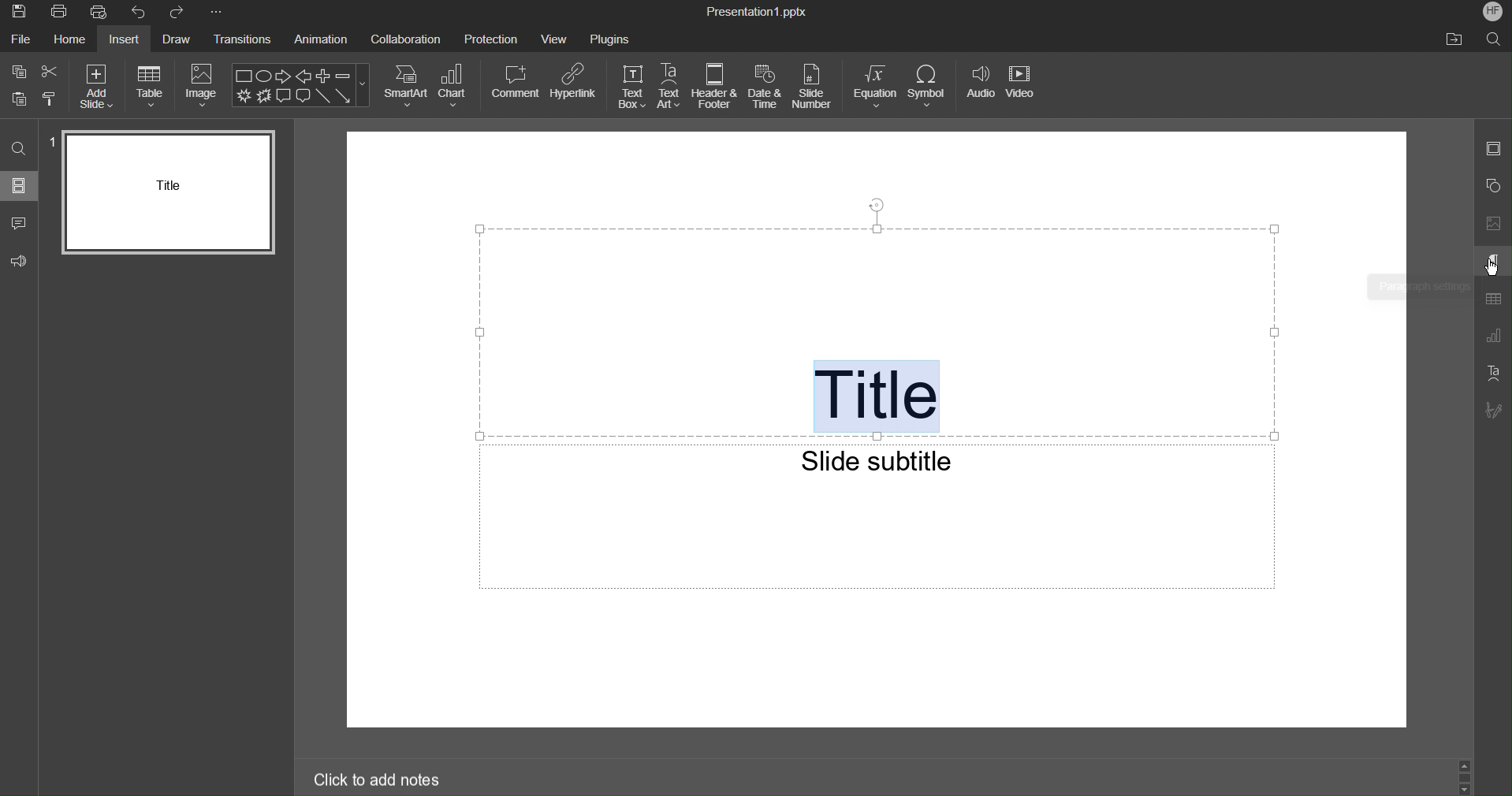 Image resolution: width=1512 pixels, height=796 pixels. What do you see at coordinates (174, 41) in the screenshot?
I see `Draw` at bounding box center [174, 41].